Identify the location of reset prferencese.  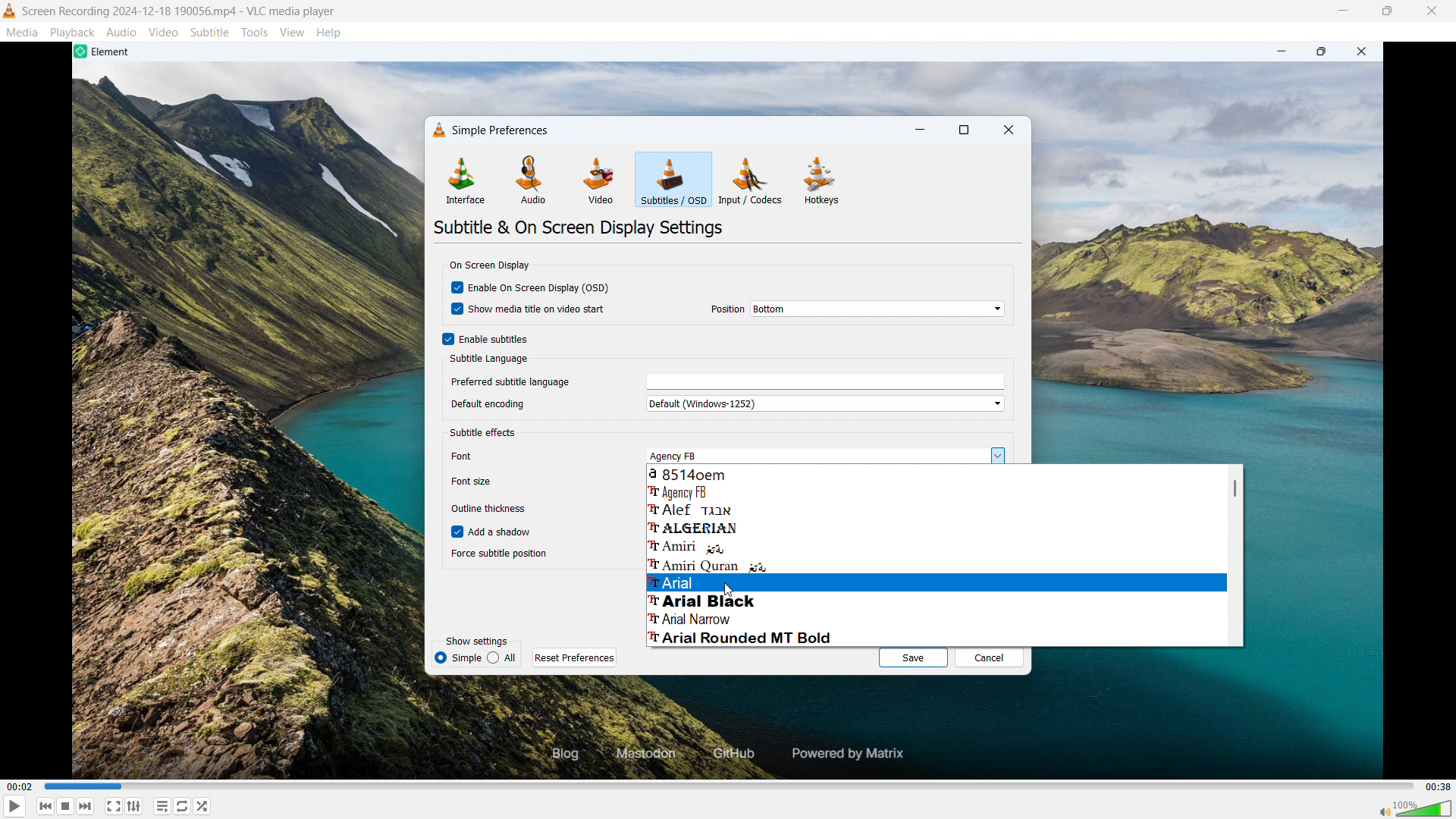
(575, 657).